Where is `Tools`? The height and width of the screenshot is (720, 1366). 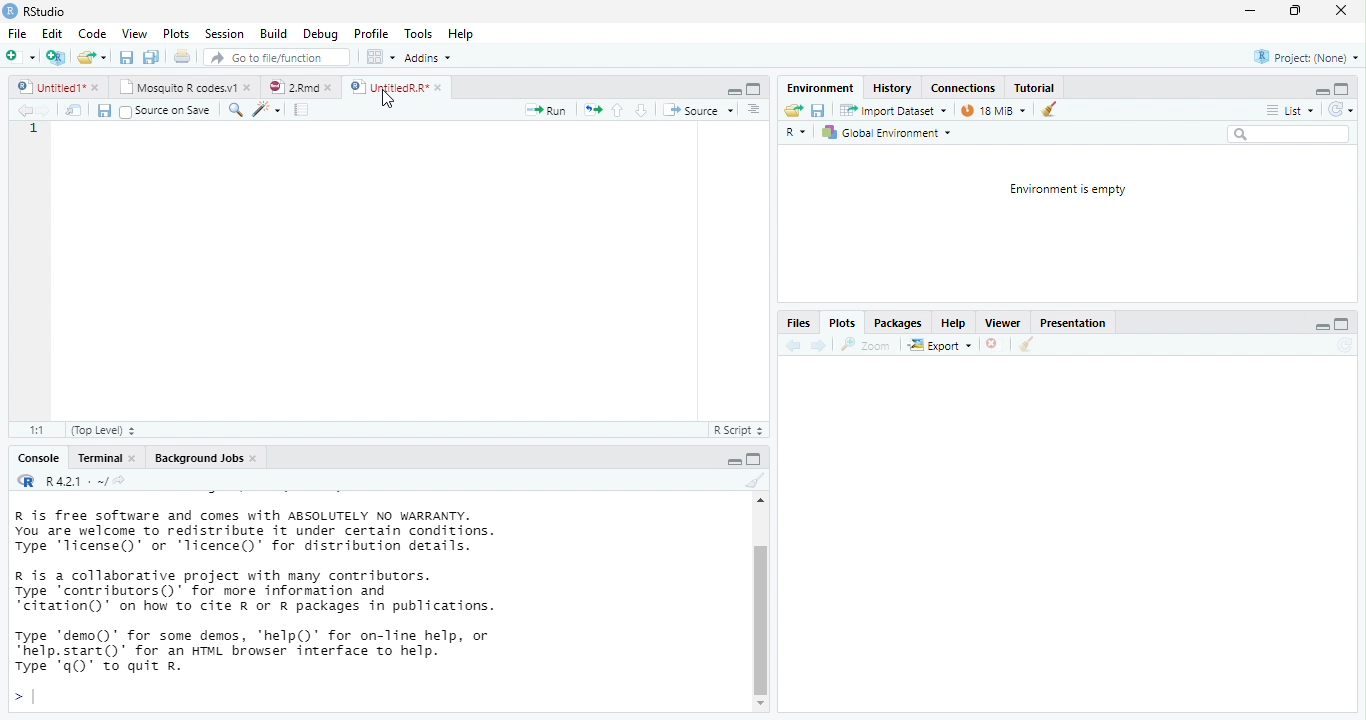 Tools is located at coordinates (419, 33).